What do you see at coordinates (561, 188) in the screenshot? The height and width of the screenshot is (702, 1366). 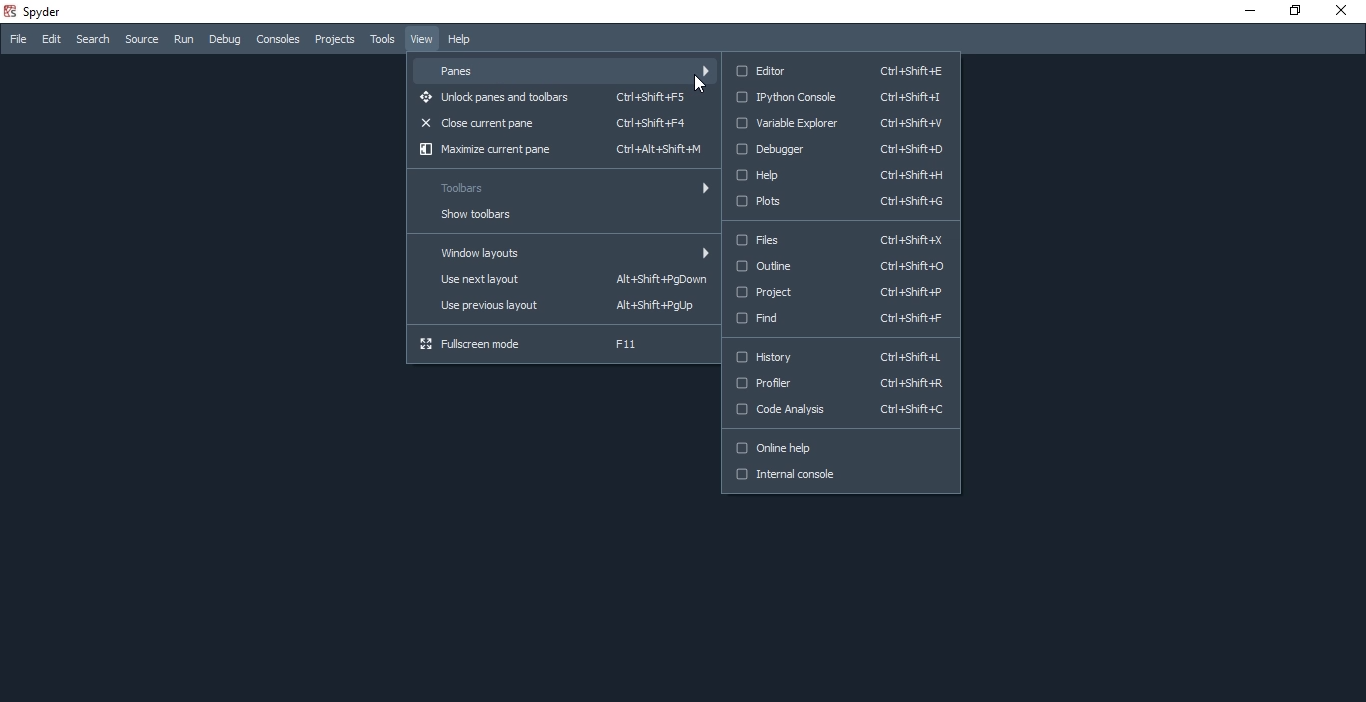 I see `toolbar` at bounding box center [561, 188].